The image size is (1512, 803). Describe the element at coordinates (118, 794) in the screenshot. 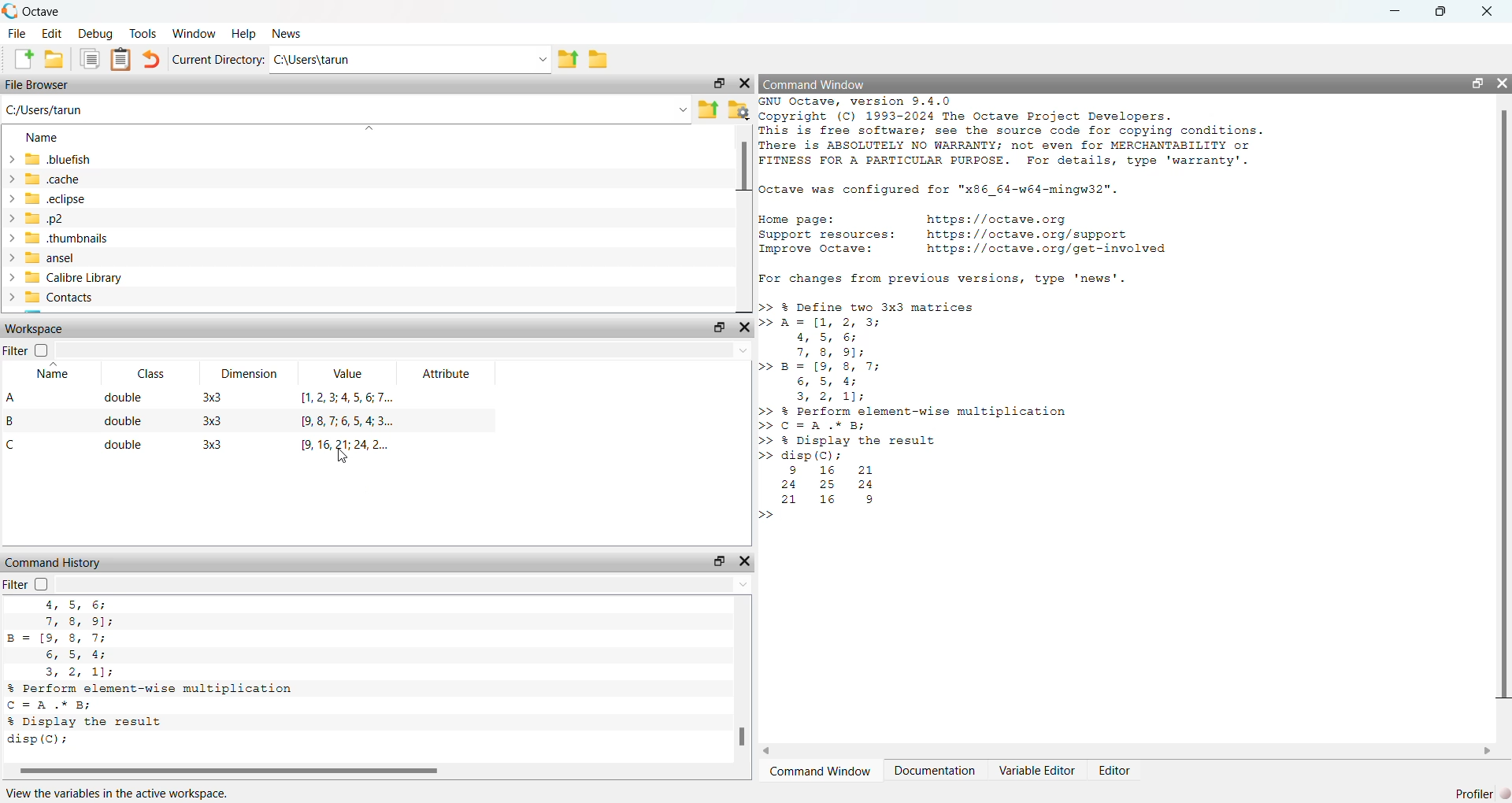

I see `View the variables in the active workspace.` at that location.